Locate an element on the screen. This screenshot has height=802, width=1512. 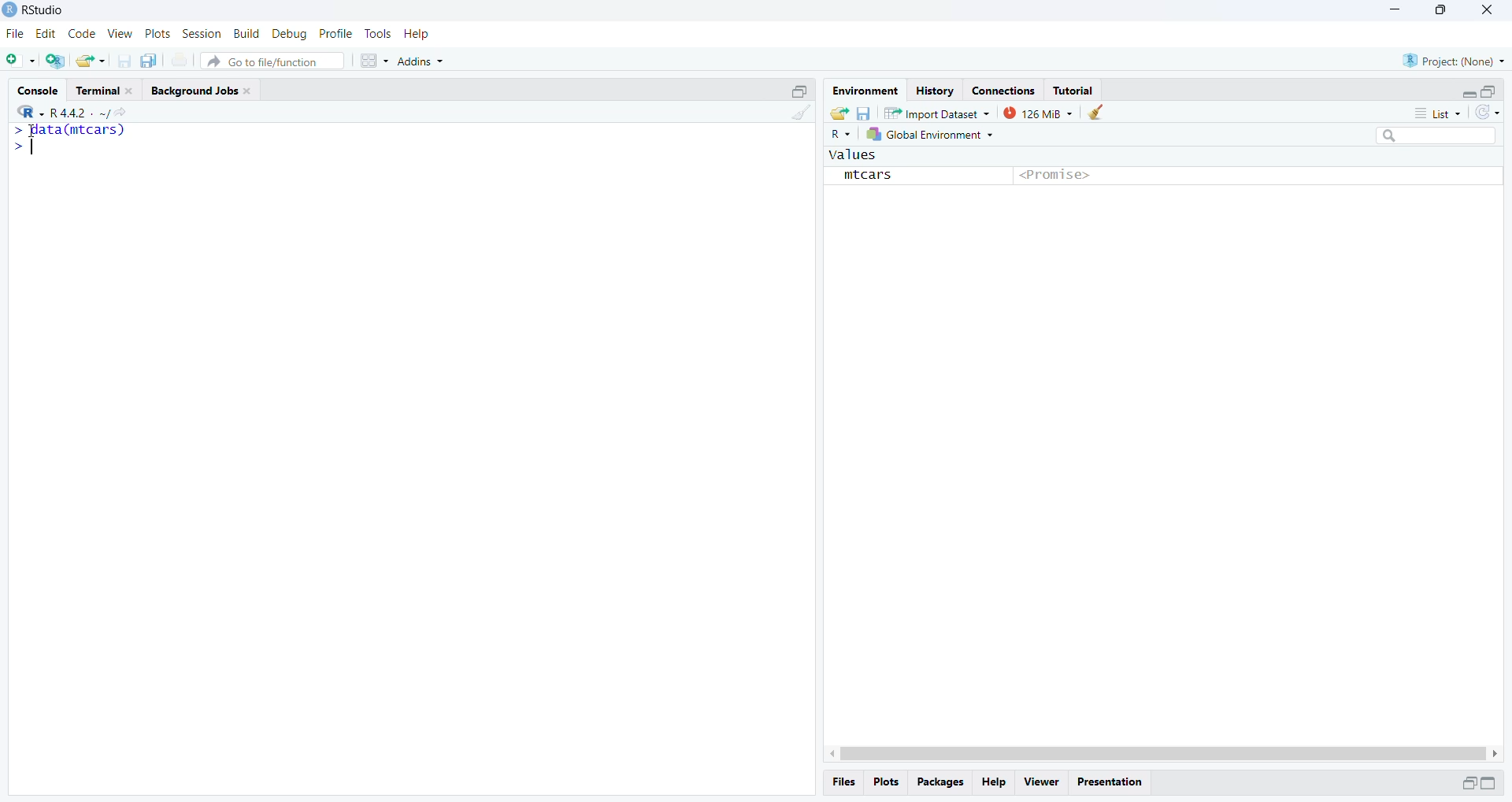
cursor is located at coordinates (29, 133).